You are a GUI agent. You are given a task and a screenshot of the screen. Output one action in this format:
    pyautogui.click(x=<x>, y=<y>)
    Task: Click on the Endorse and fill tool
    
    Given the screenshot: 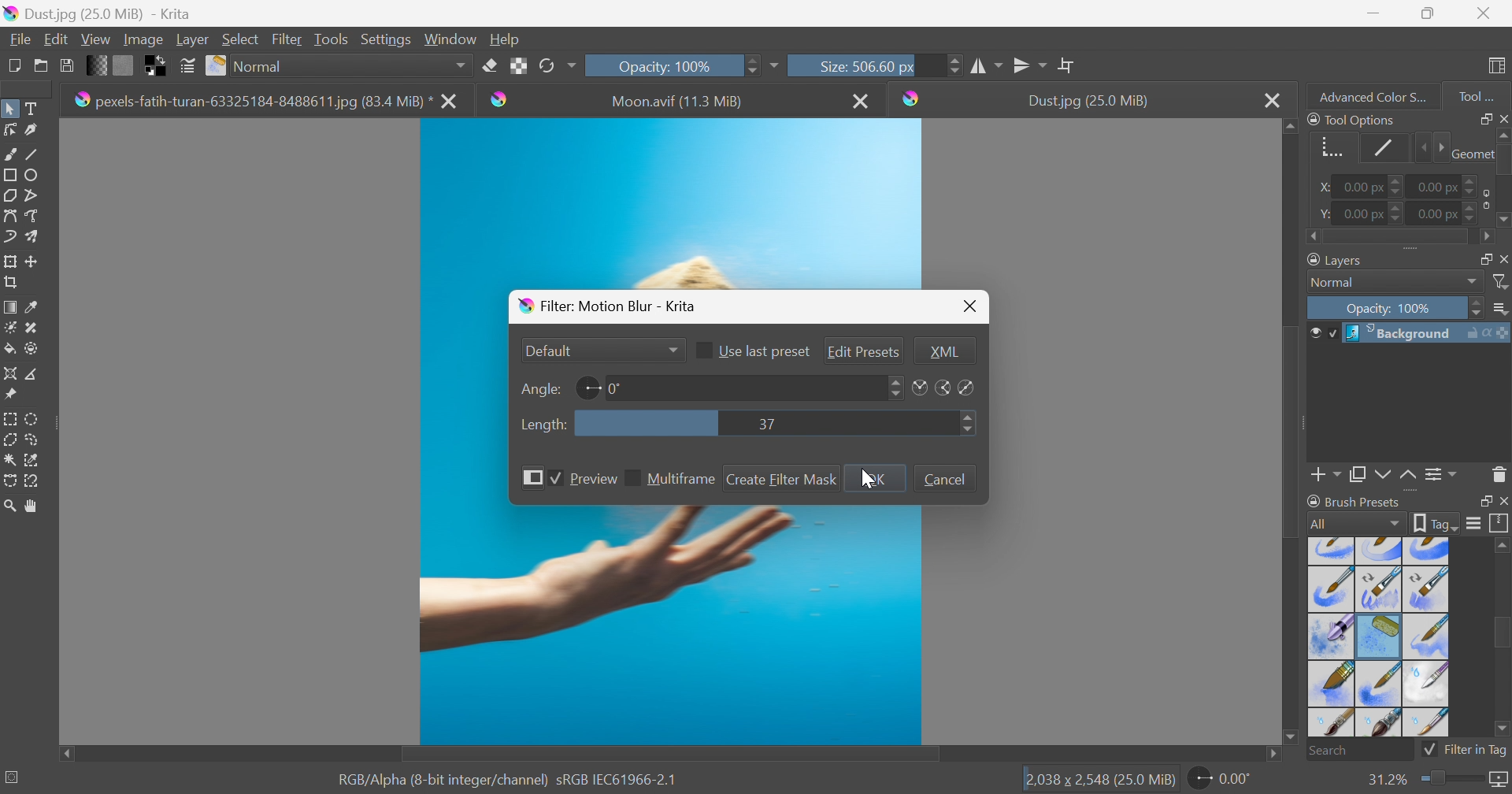 What is the action you would take?
    pyautogui.click(x=31, y=350)
    